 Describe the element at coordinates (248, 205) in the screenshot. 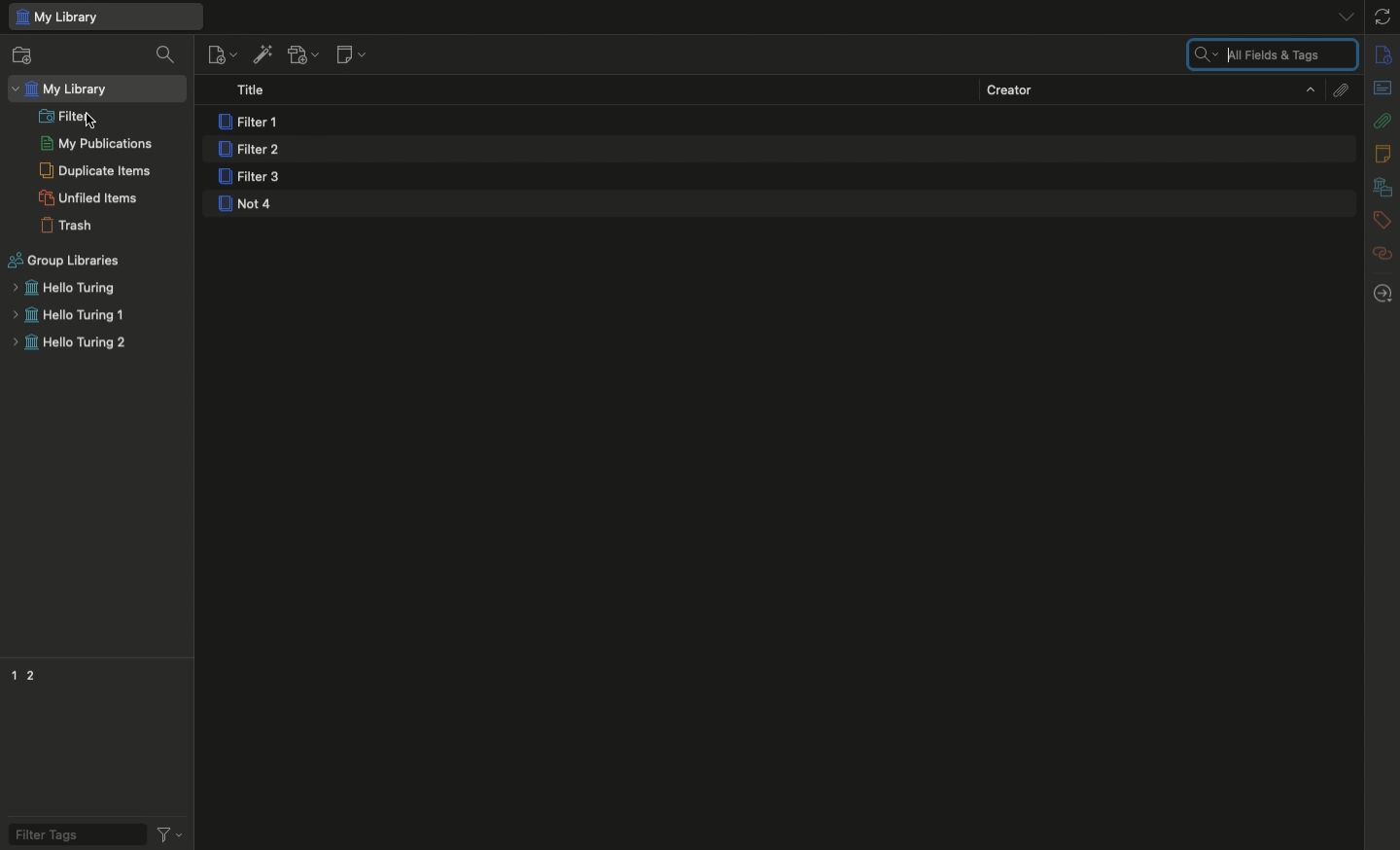

I see `Not 4` at that location.